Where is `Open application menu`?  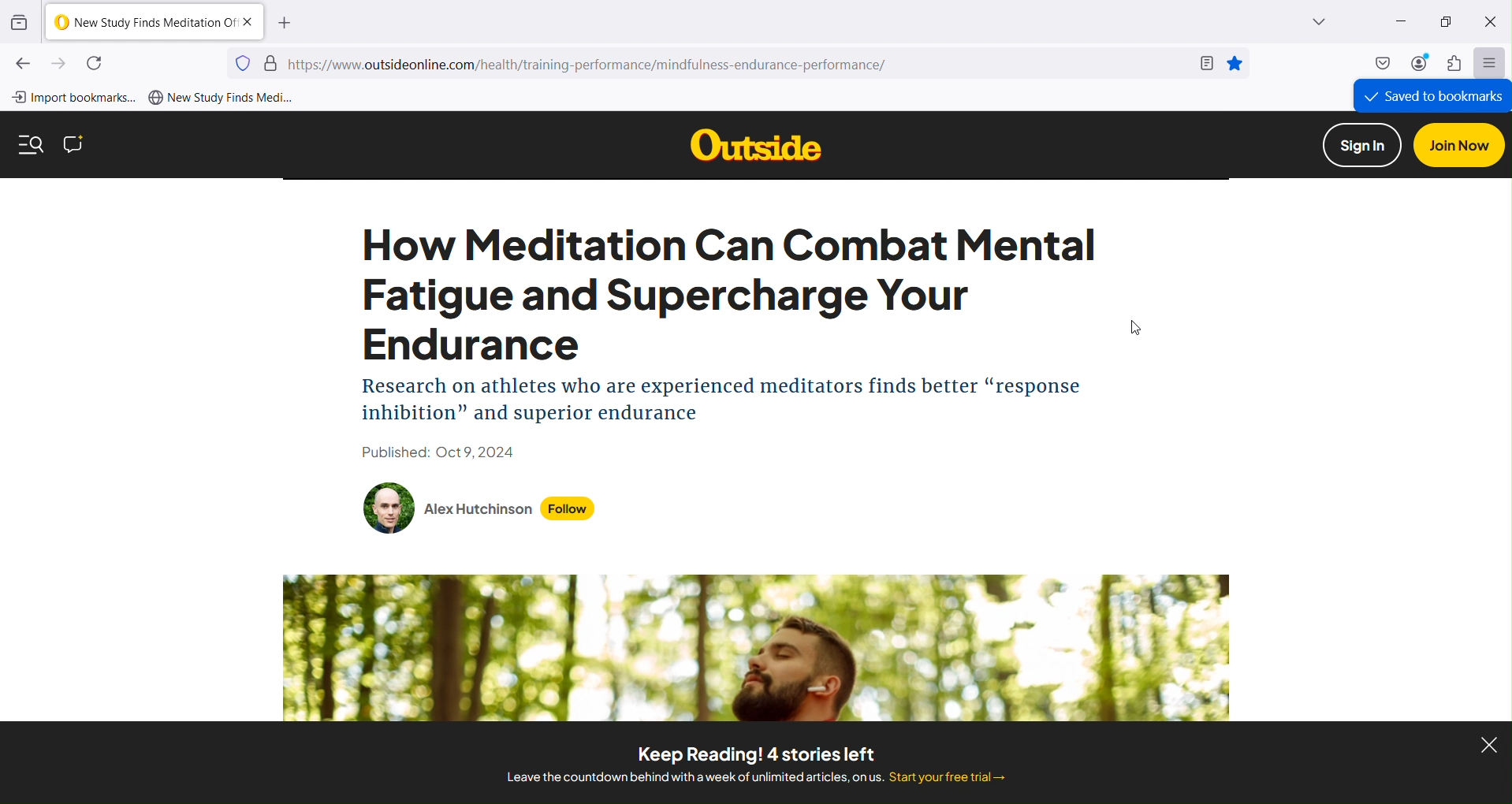
Open application menu is located at coordinates (1490, 62).